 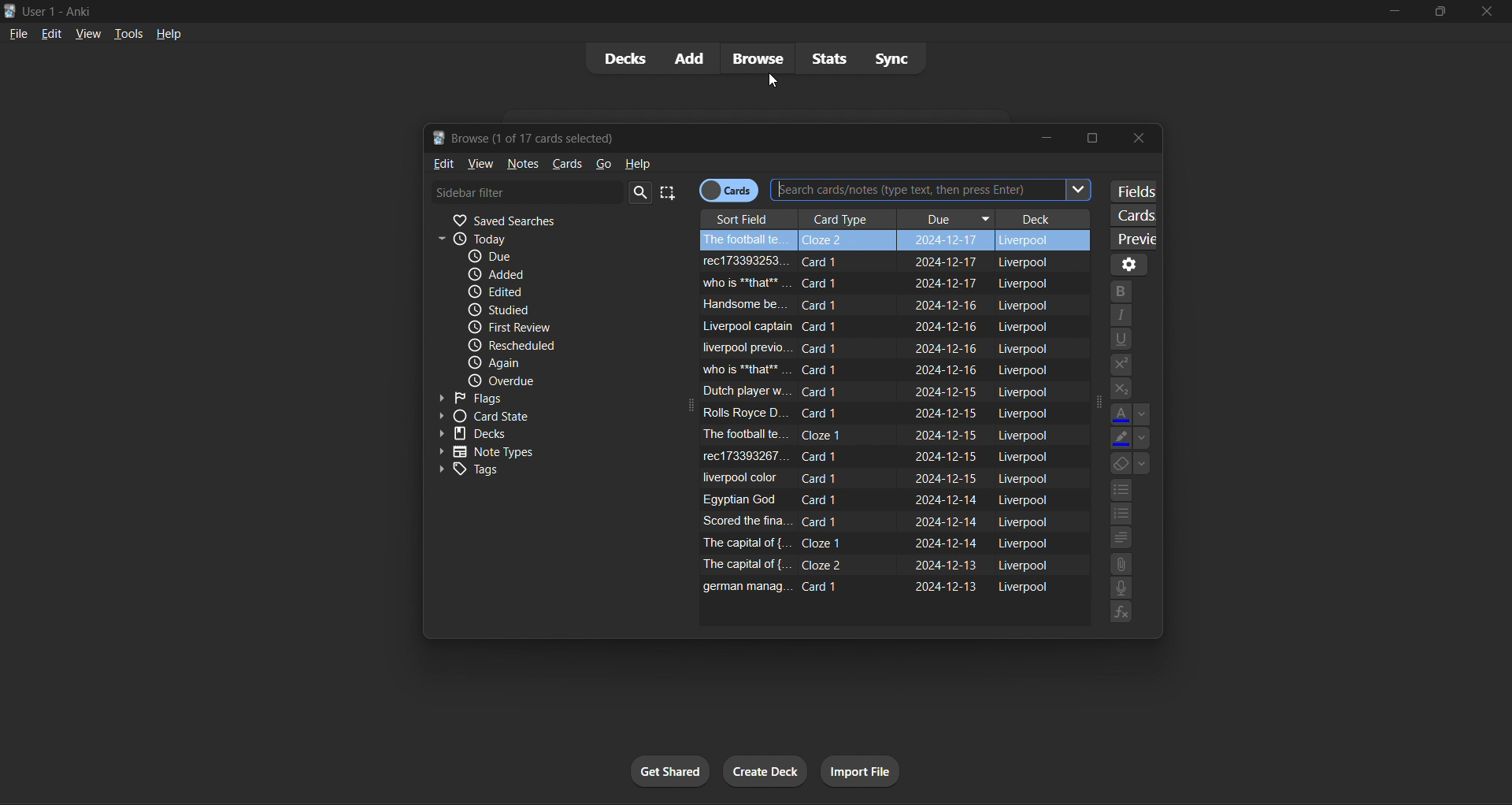 I want to click on card 2, so click(x=831, y=565).